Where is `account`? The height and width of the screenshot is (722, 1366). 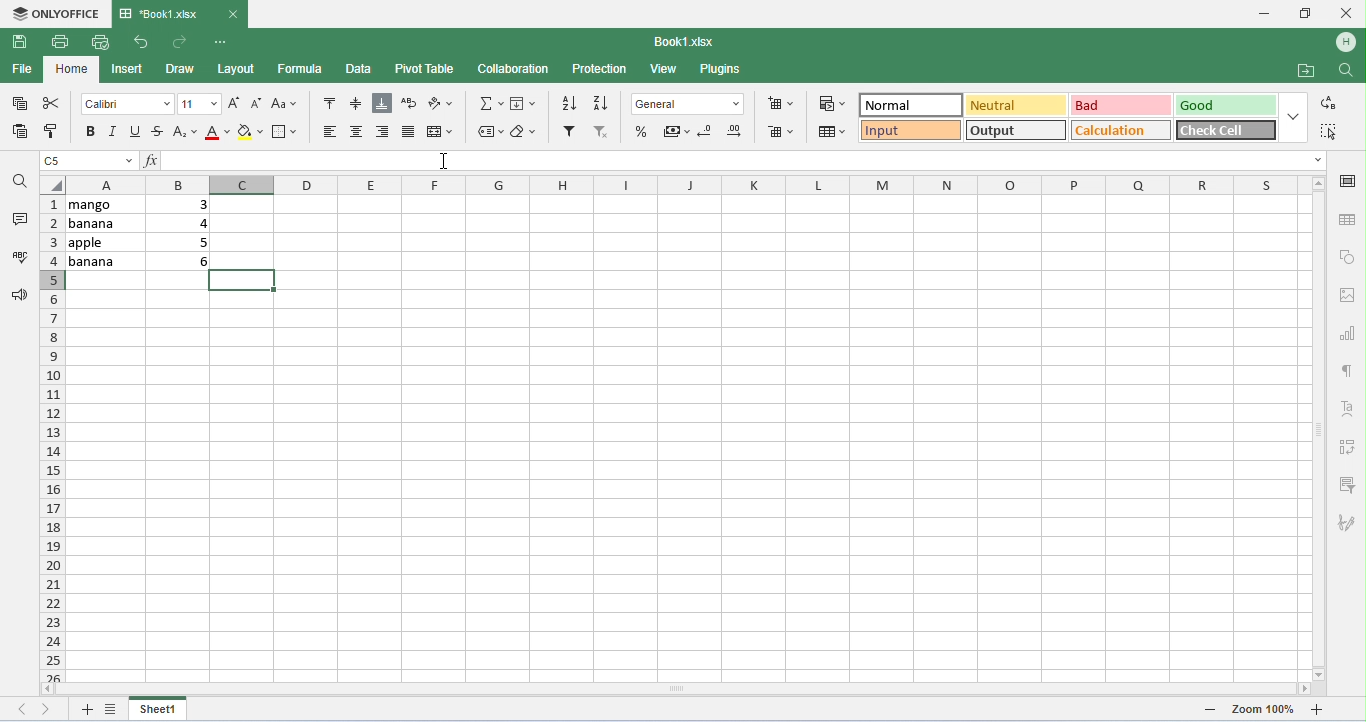 account is located at coordinates (1346, 43).